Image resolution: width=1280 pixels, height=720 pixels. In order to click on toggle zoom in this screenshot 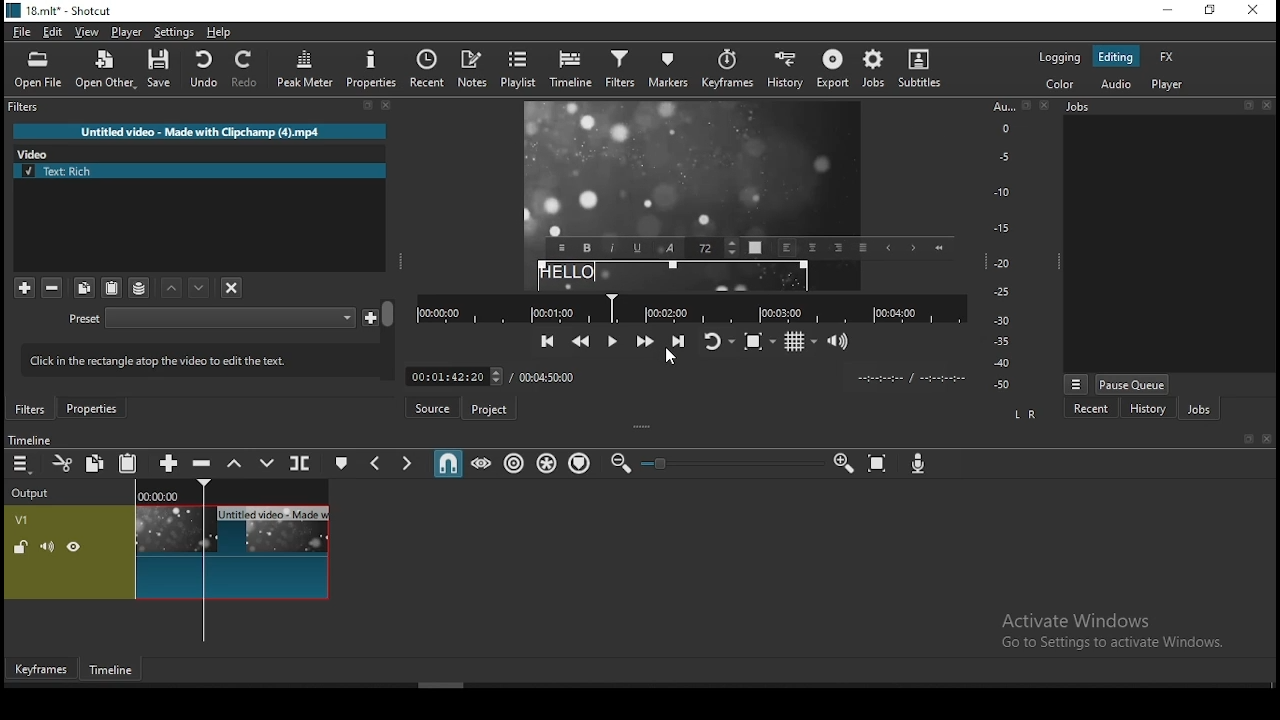, I will do `click(760, 341)`.